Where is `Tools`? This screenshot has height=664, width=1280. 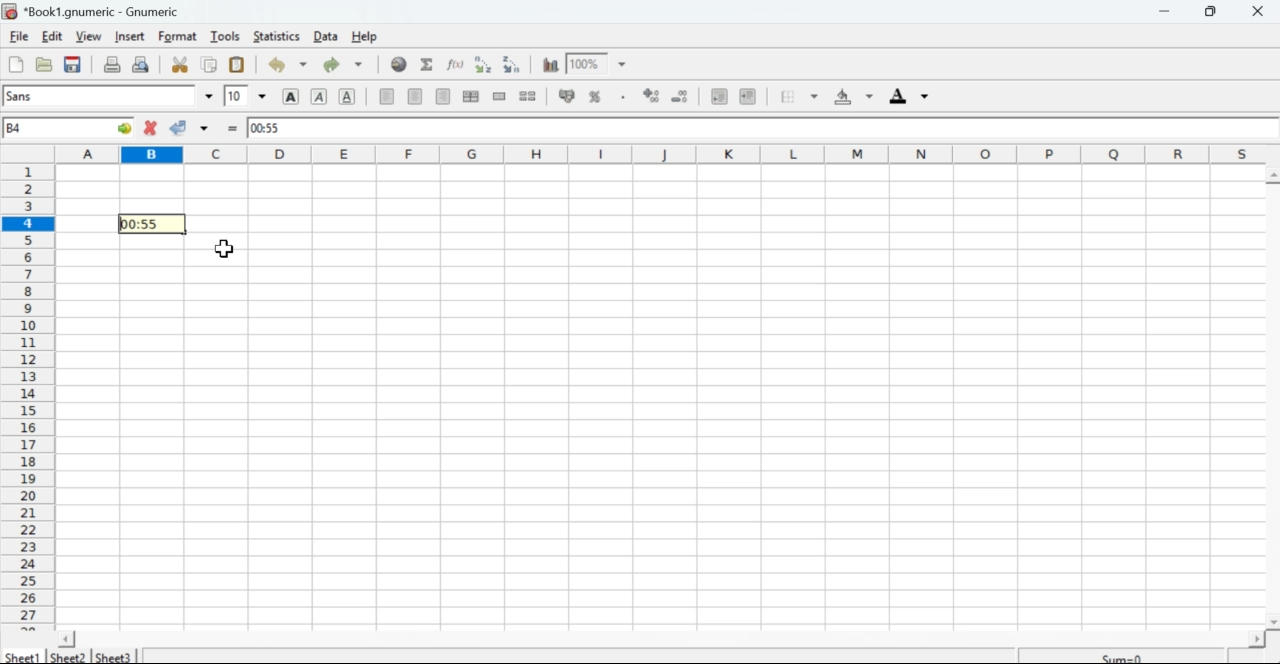 Tools is located at coordinates (223, 36).